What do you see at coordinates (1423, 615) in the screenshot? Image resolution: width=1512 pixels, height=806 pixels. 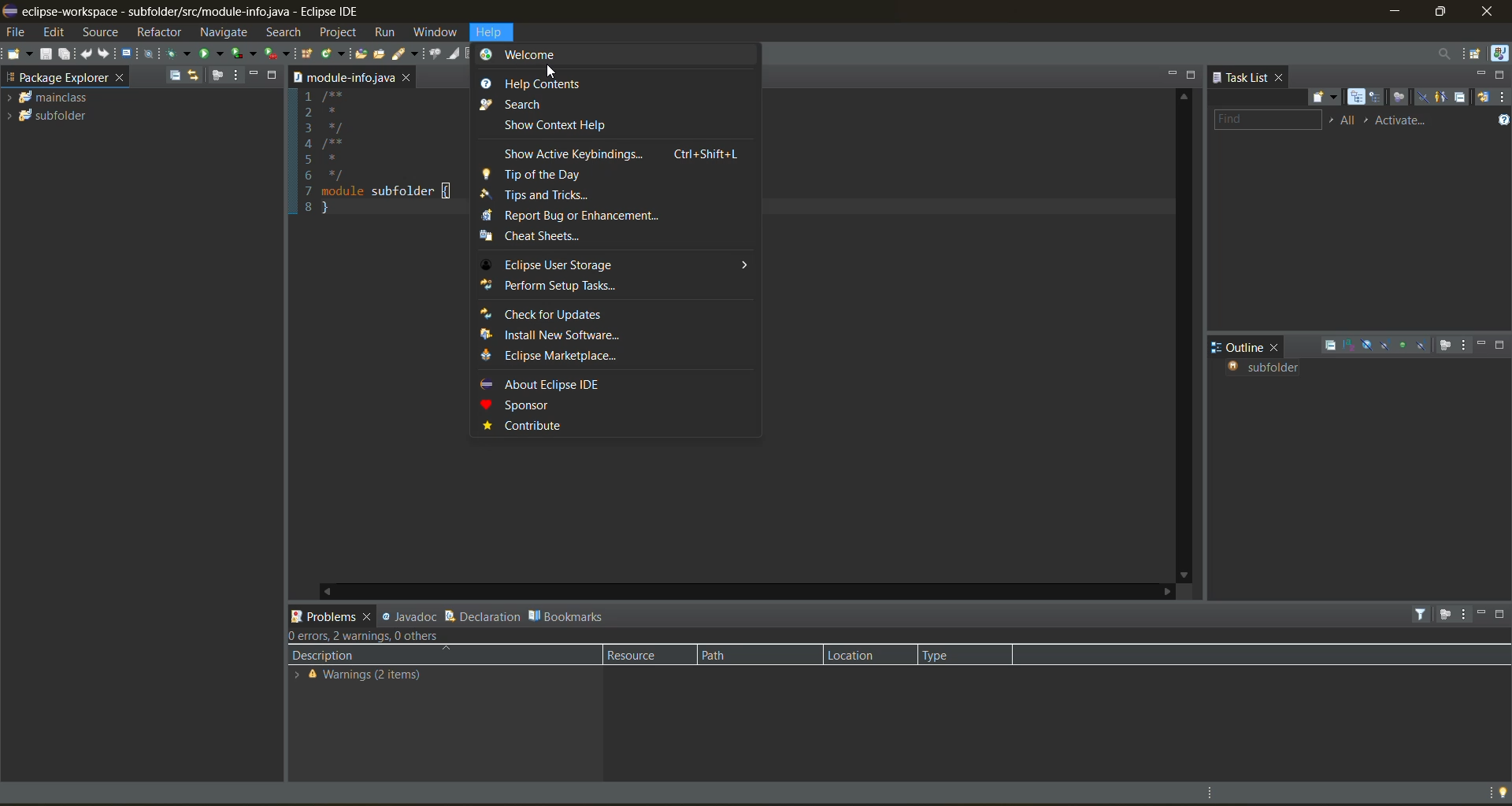 I see `filters` at bounding box center [1423, 615].